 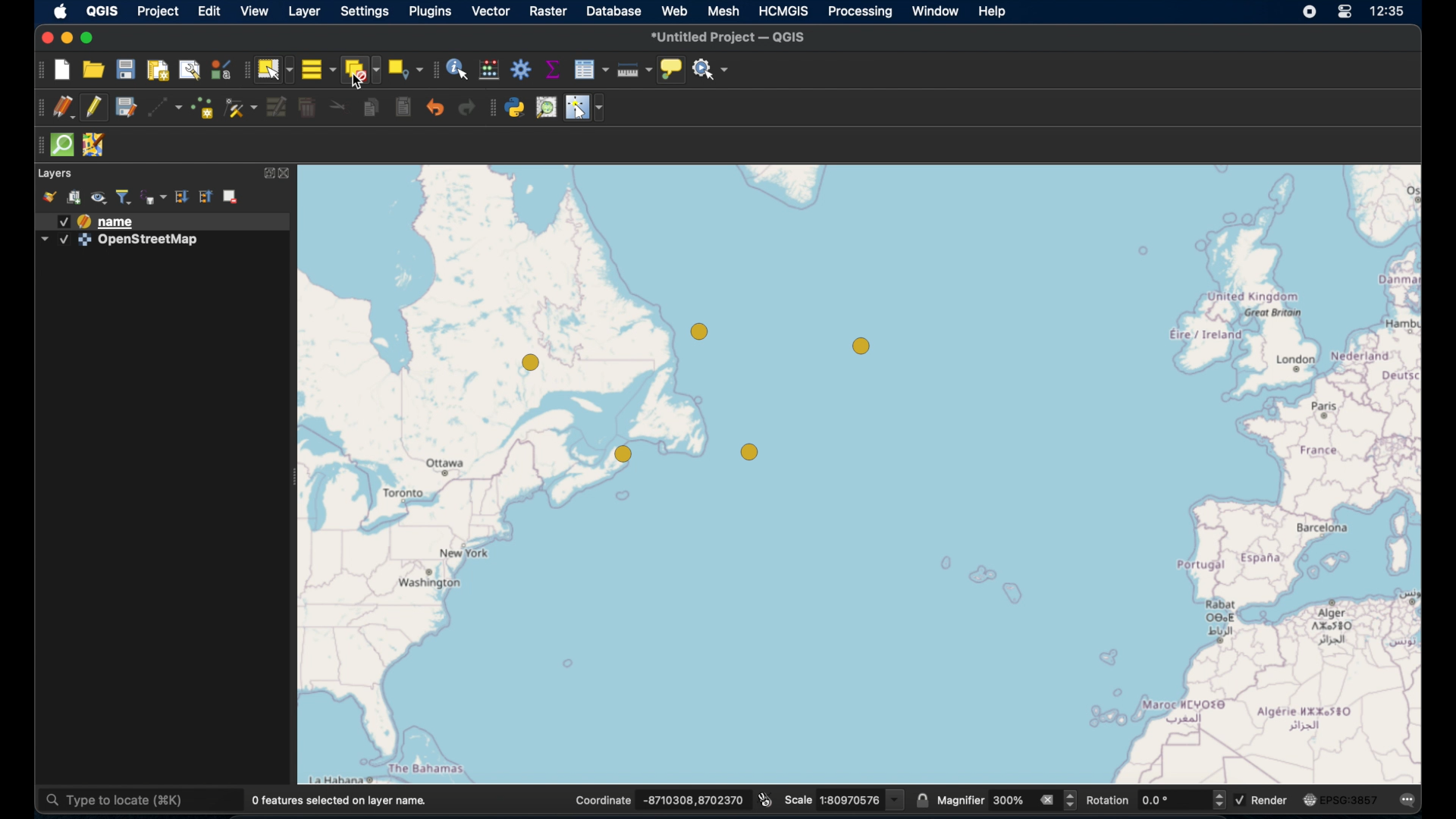 I want to click on screen recorder, so click(x=1310, y=13).